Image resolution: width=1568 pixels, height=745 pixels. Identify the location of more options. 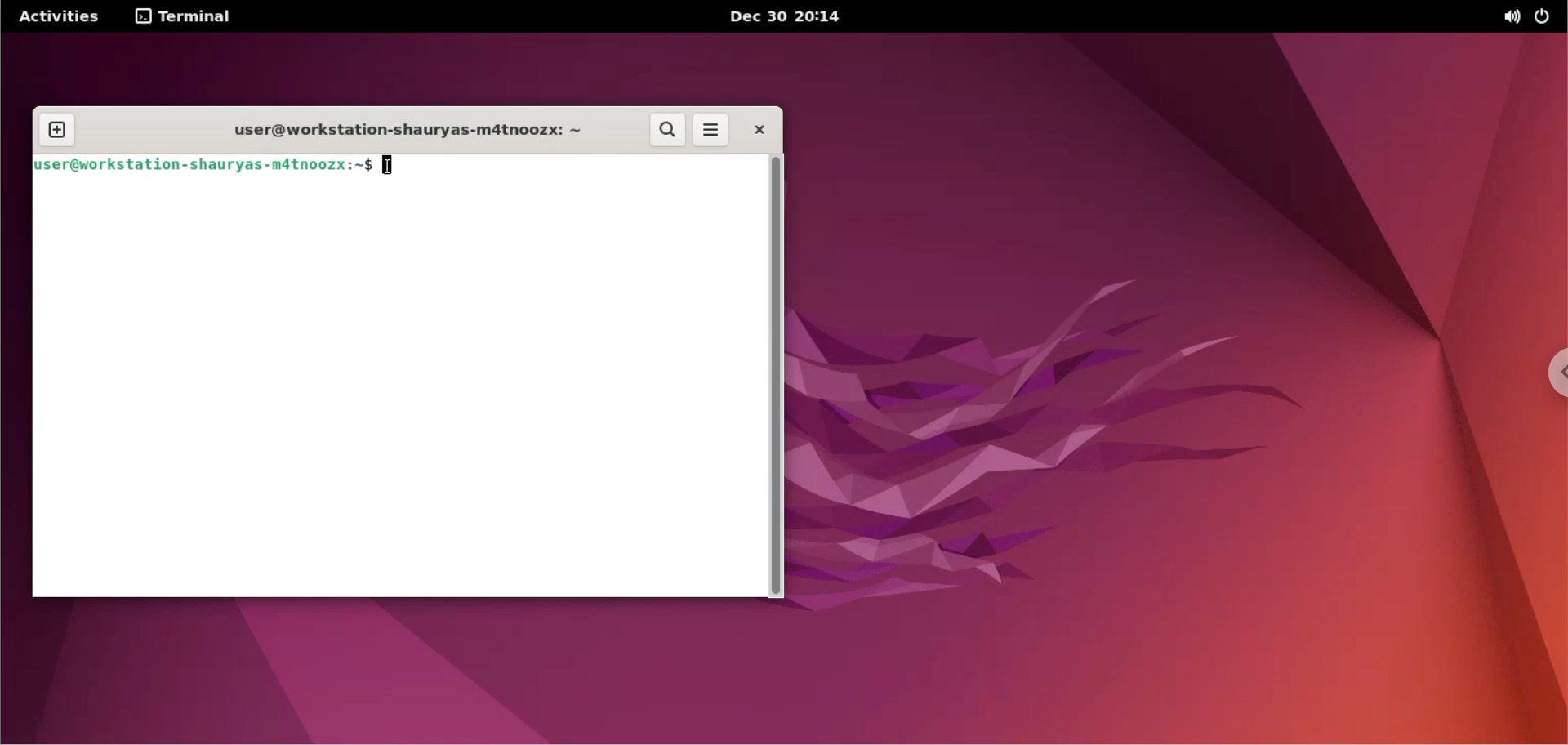
(712, 129).